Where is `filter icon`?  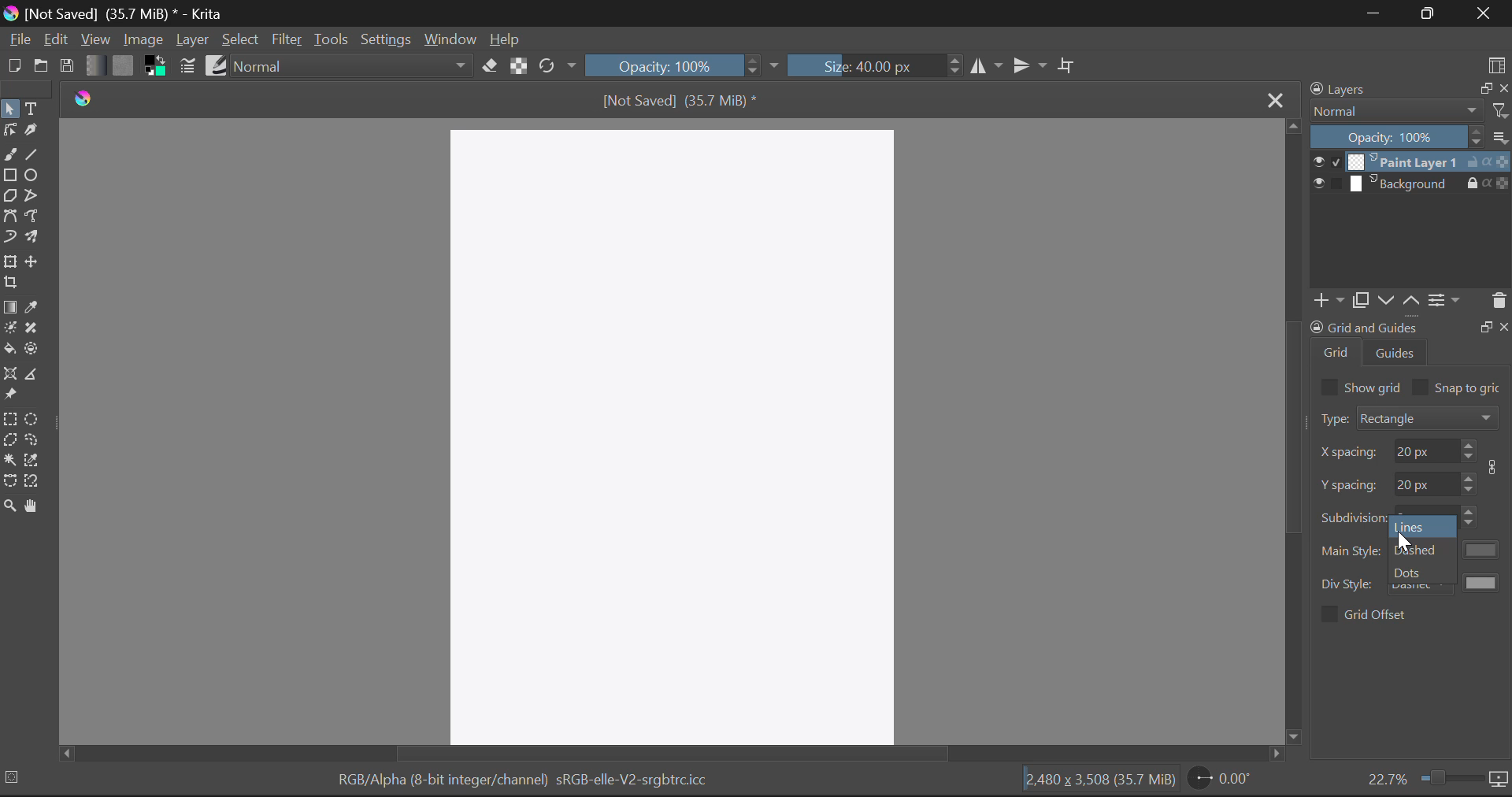 filter icon is located at coordinates (1499, 110).